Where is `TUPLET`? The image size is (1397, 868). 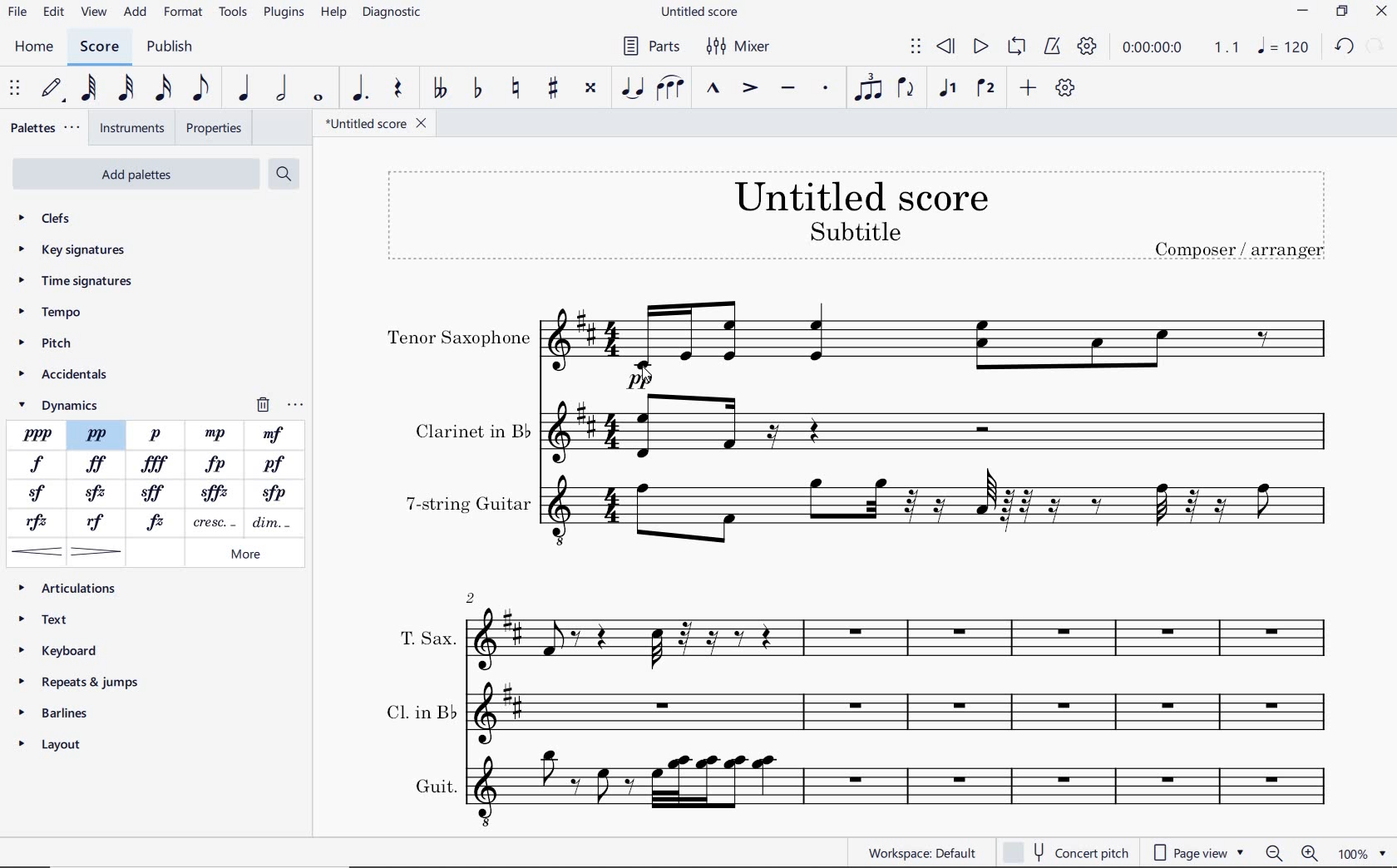
TUPLET is located at coordinates (869, 86).